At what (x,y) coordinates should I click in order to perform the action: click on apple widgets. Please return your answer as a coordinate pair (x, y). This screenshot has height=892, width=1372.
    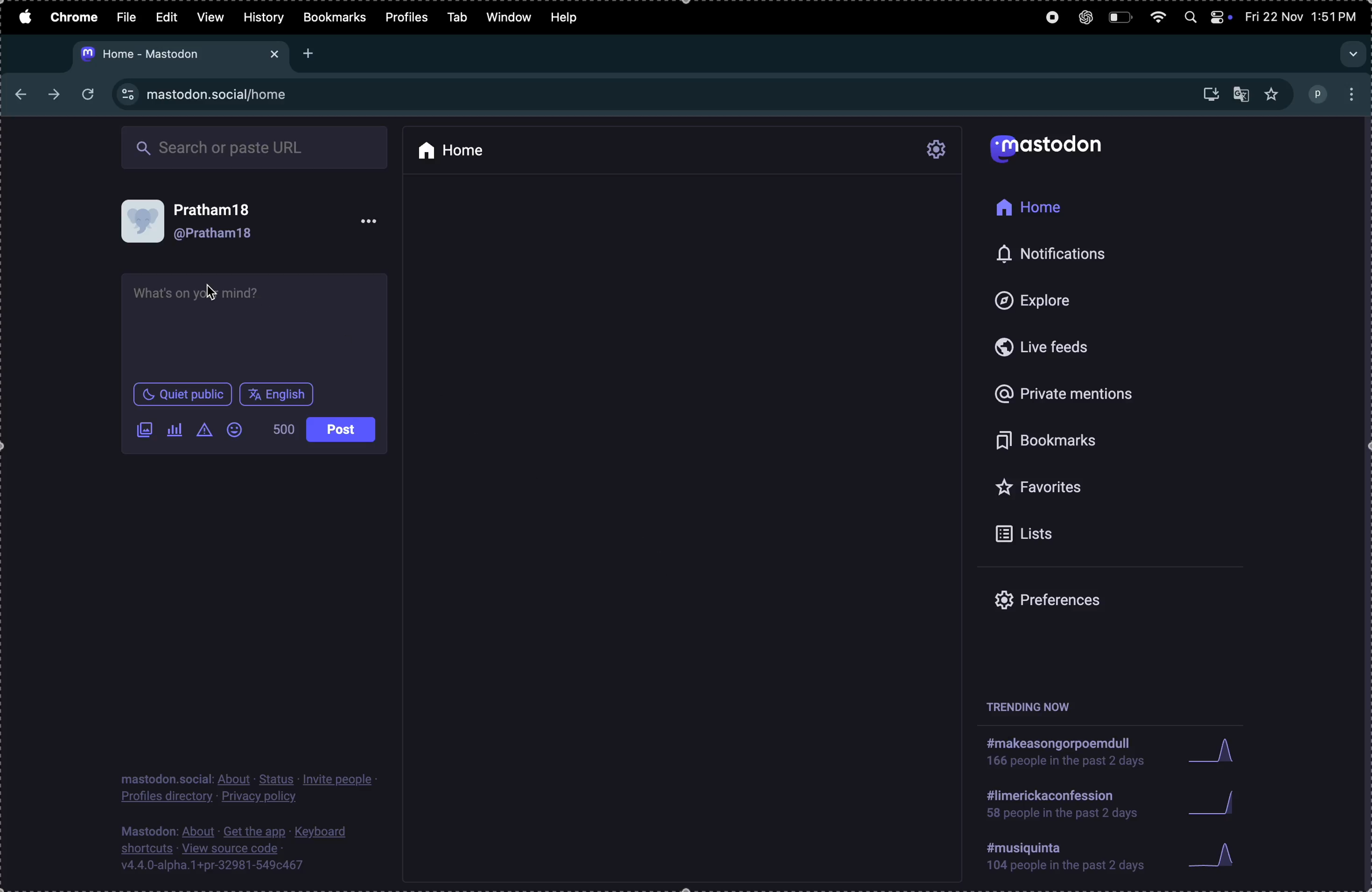
    Looking at the image, I should click on (1219, 18).